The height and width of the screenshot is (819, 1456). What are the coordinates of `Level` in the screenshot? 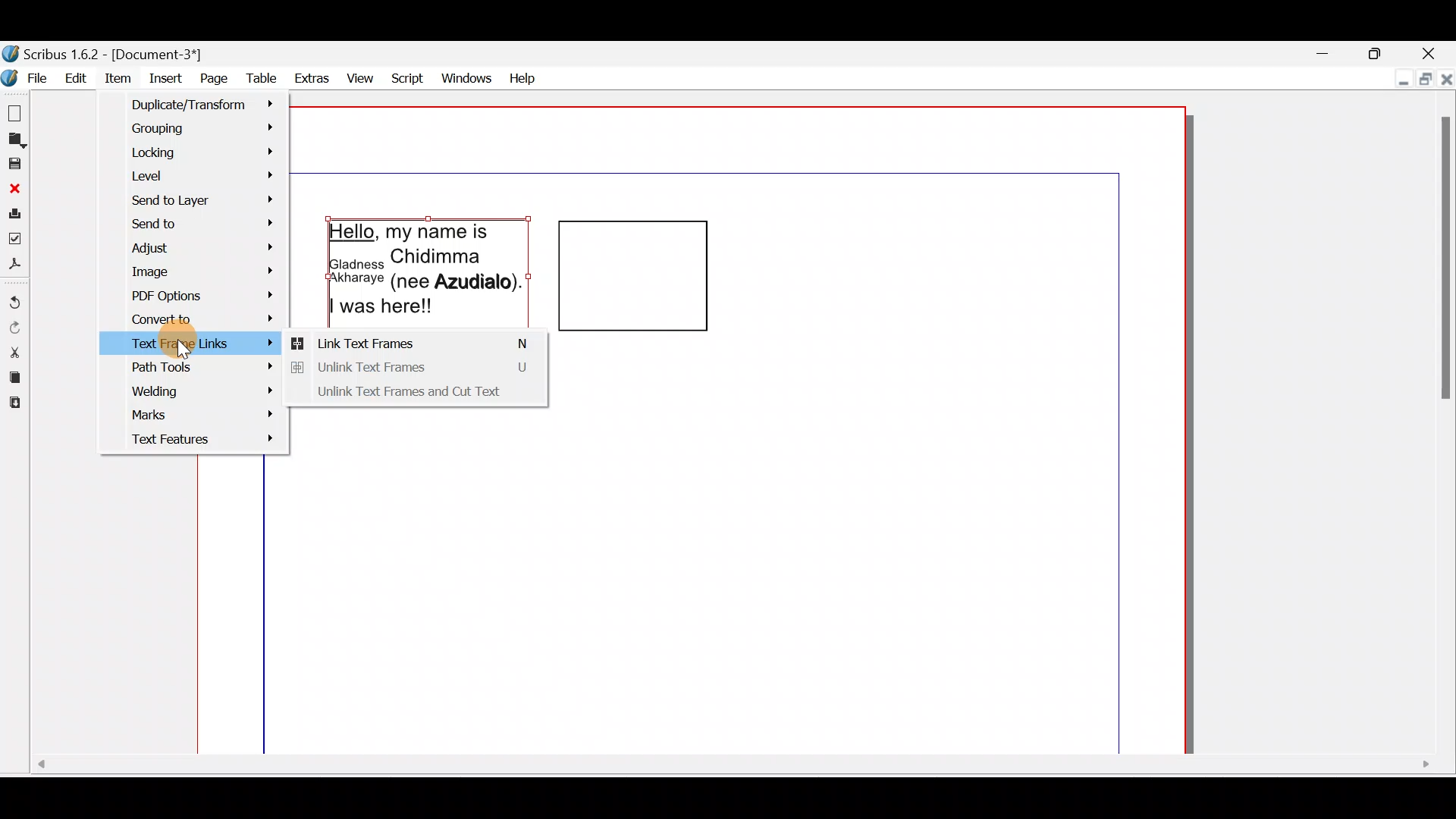 It's located at (202, 177).